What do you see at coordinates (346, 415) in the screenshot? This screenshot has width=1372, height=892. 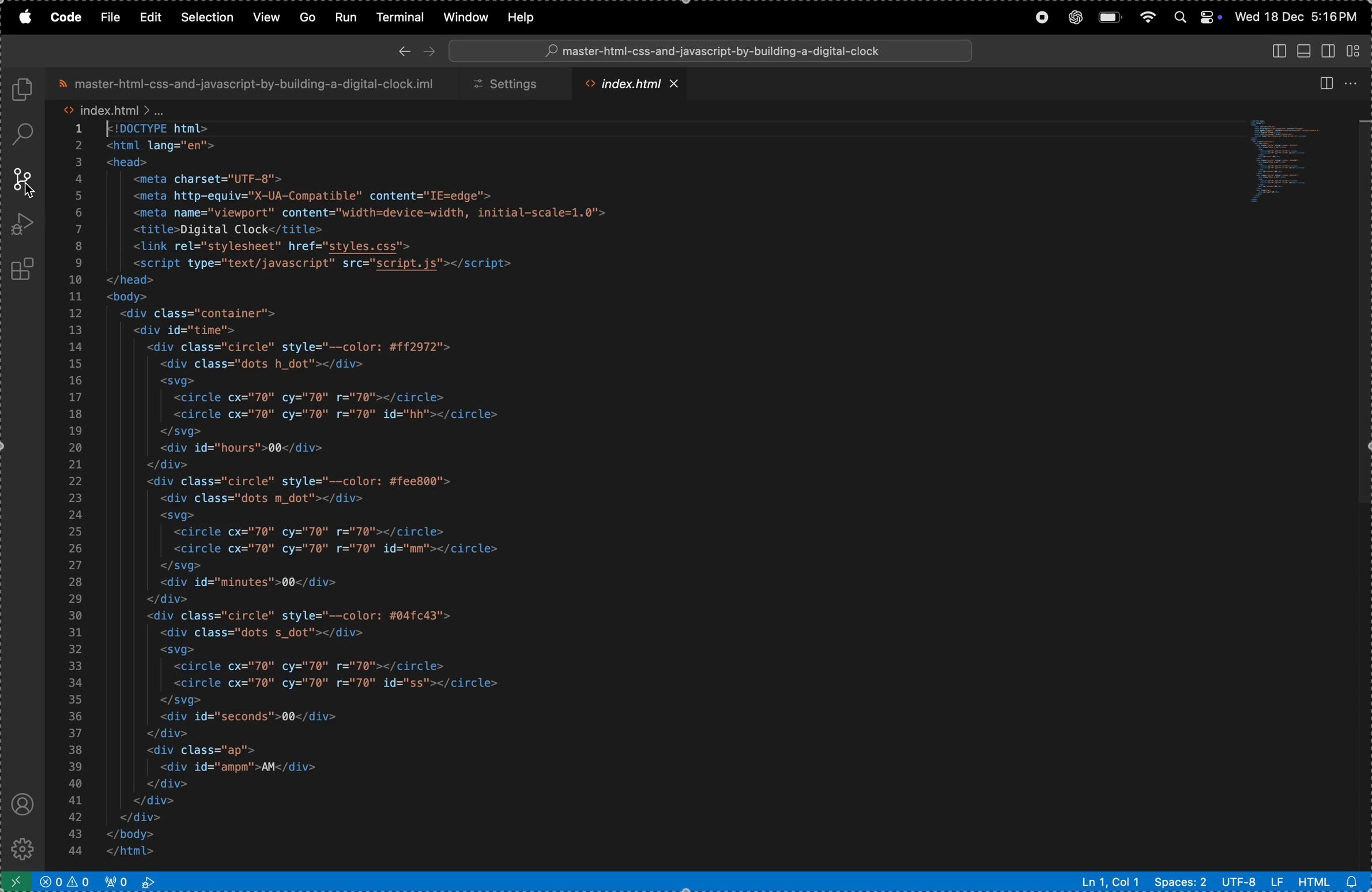 I see `<circle cx="70" cy="70" r="70" id="hh"></circle>` at bounding box center [346, 415].